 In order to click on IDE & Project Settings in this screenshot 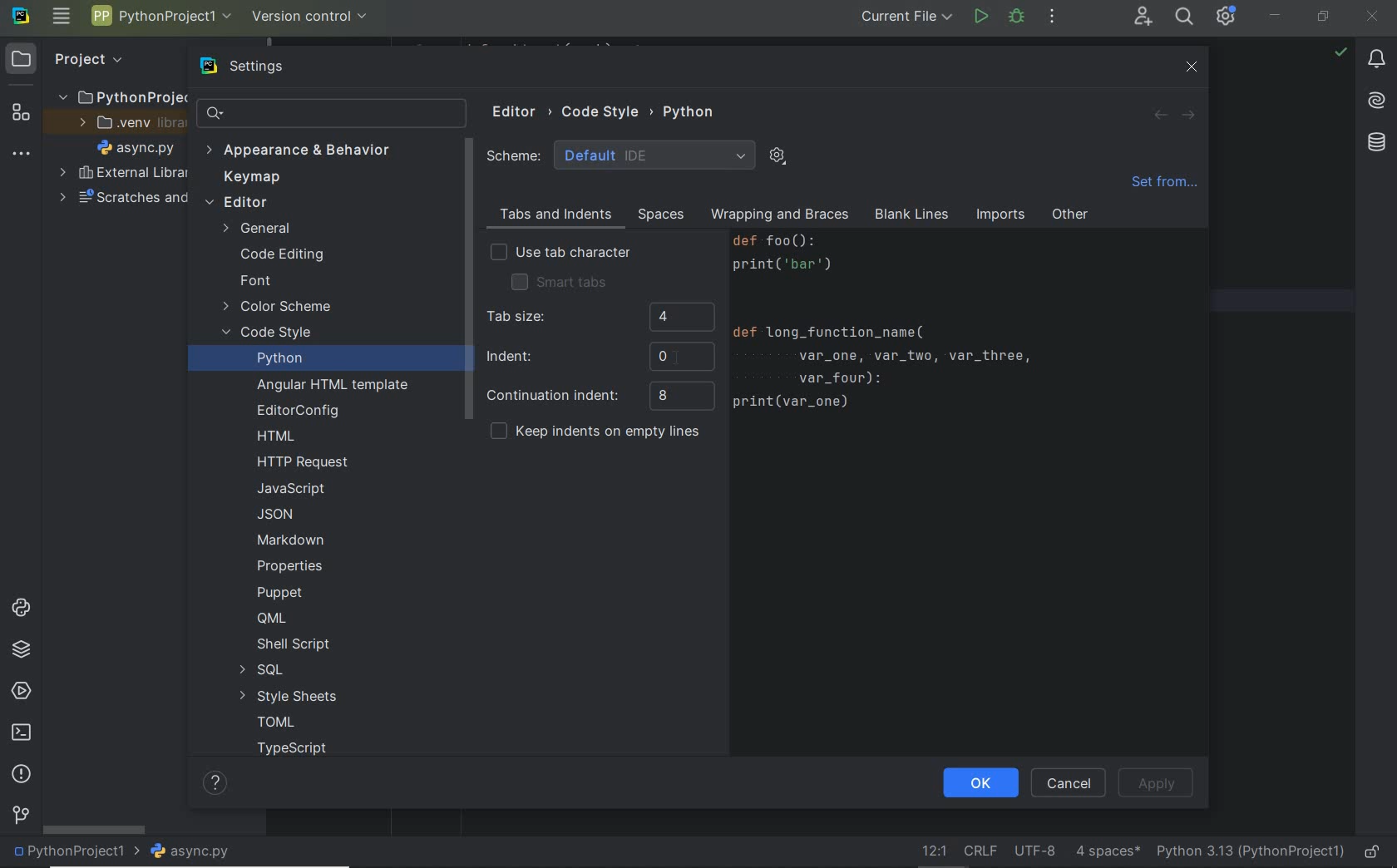, I will do `click(1227, 16)`.